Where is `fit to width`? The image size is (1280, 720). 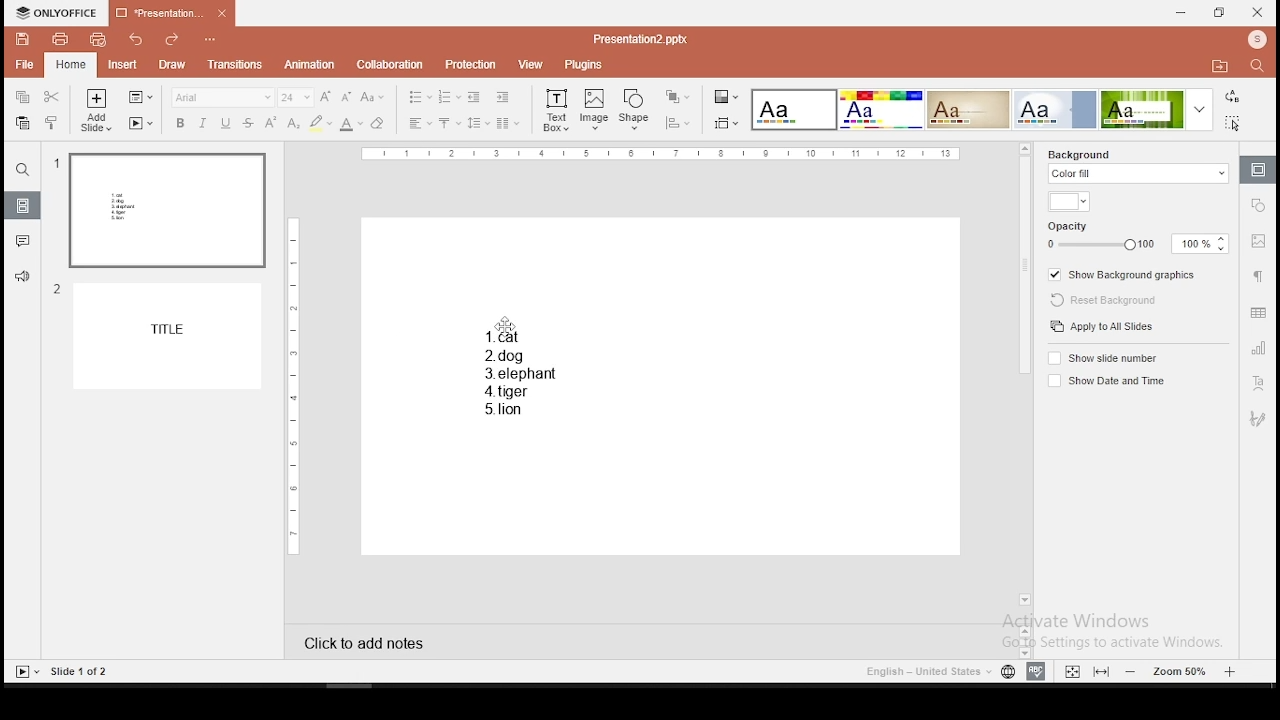 fit to width is located at coordinates (1102, 672).